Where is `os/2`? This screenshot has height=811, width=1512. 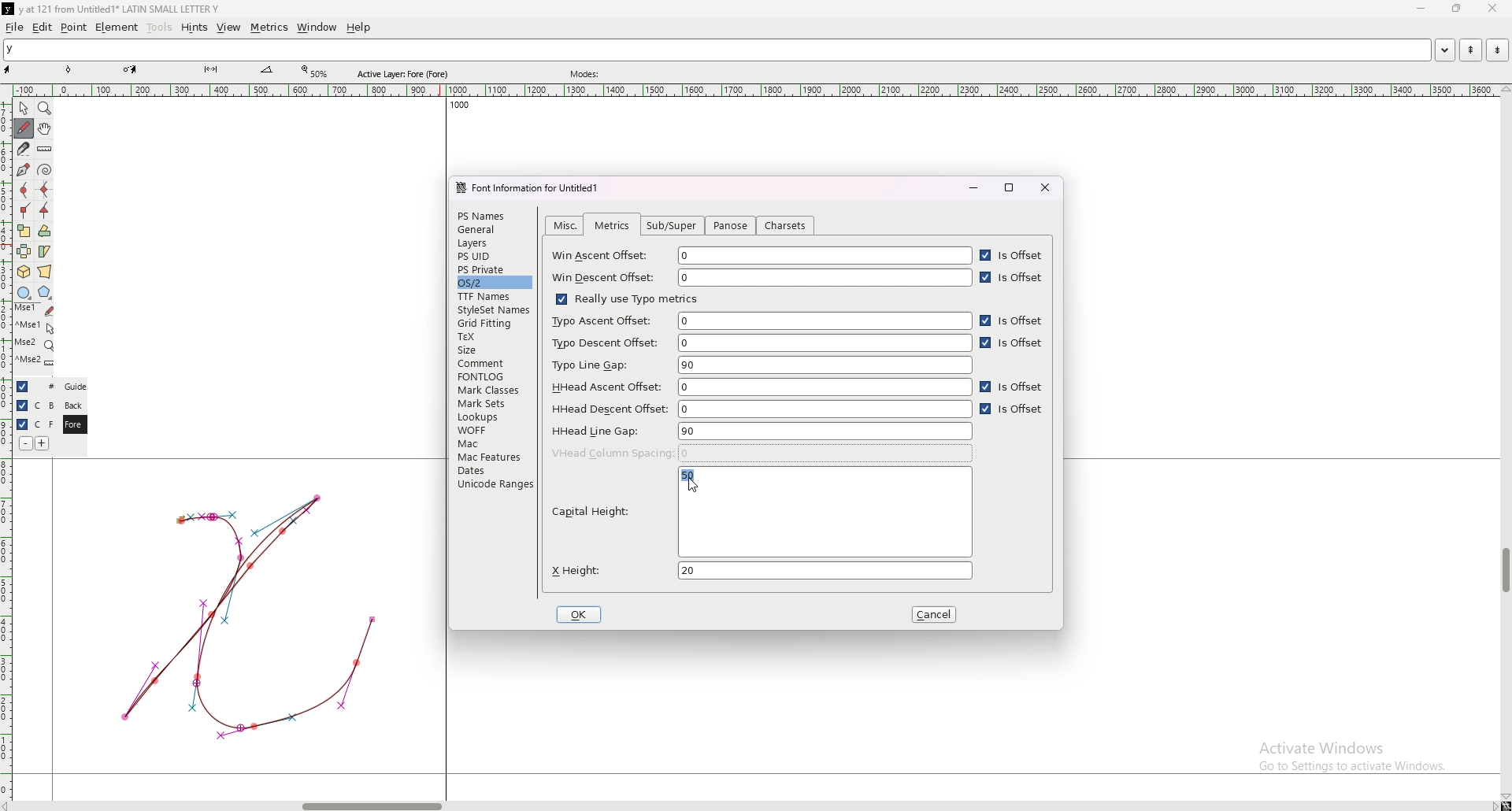
os/2 is located at coordinates (493, 282).